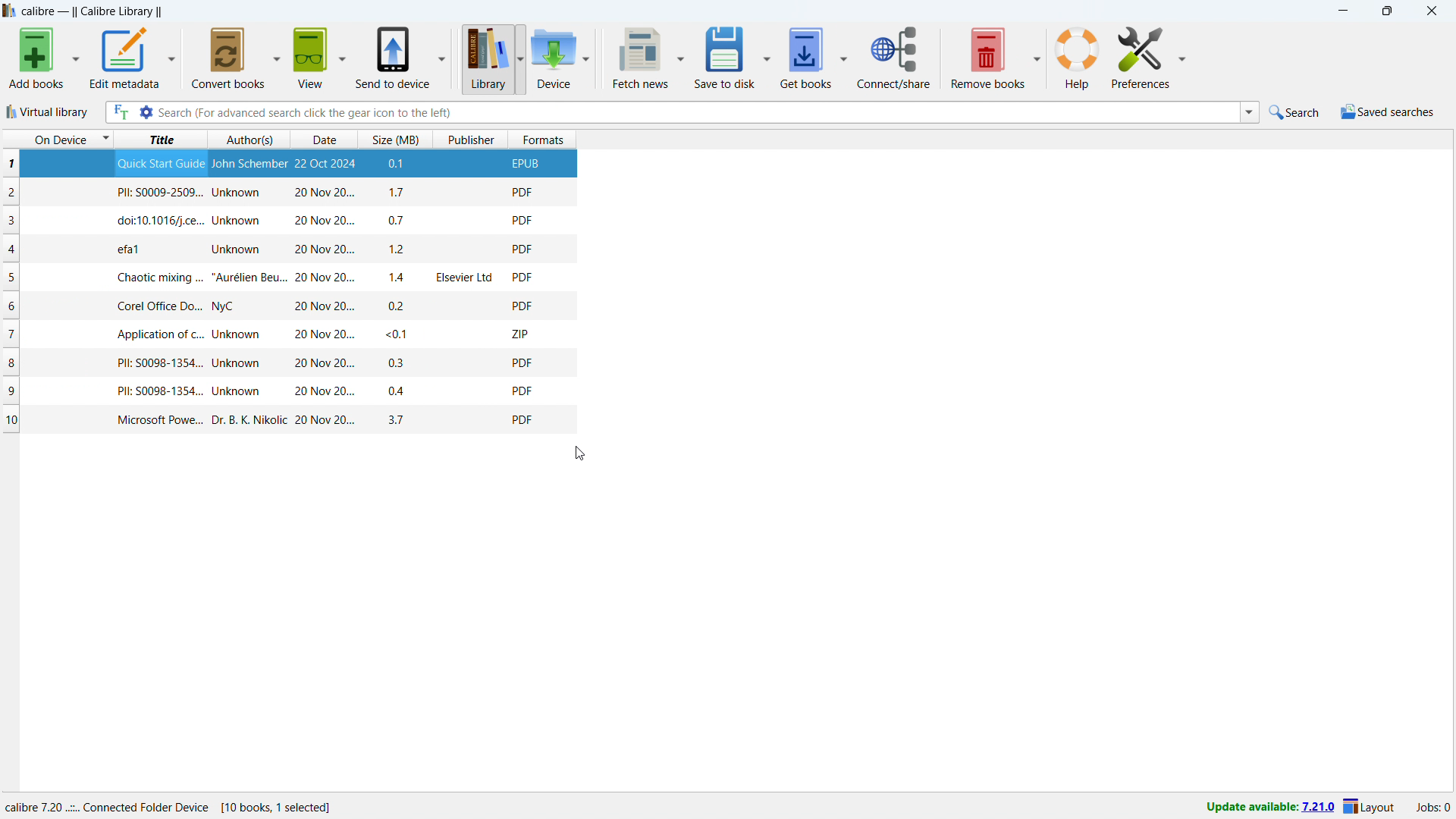  Describe the element at coordinates (119, 111) in the screenshot. I see `full text search` at that location.